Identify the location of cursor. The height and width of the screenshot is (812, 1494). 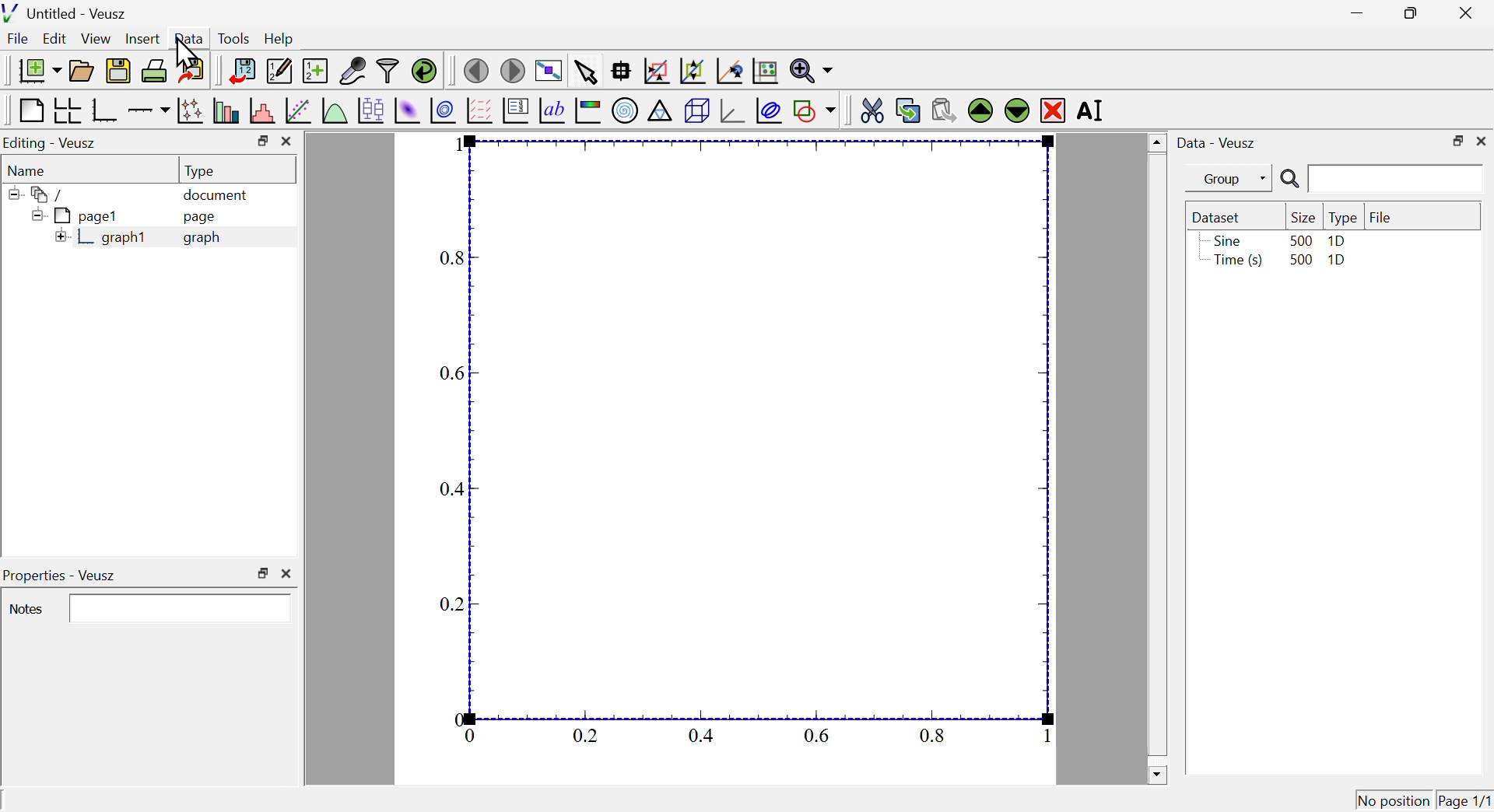
(192, 51).